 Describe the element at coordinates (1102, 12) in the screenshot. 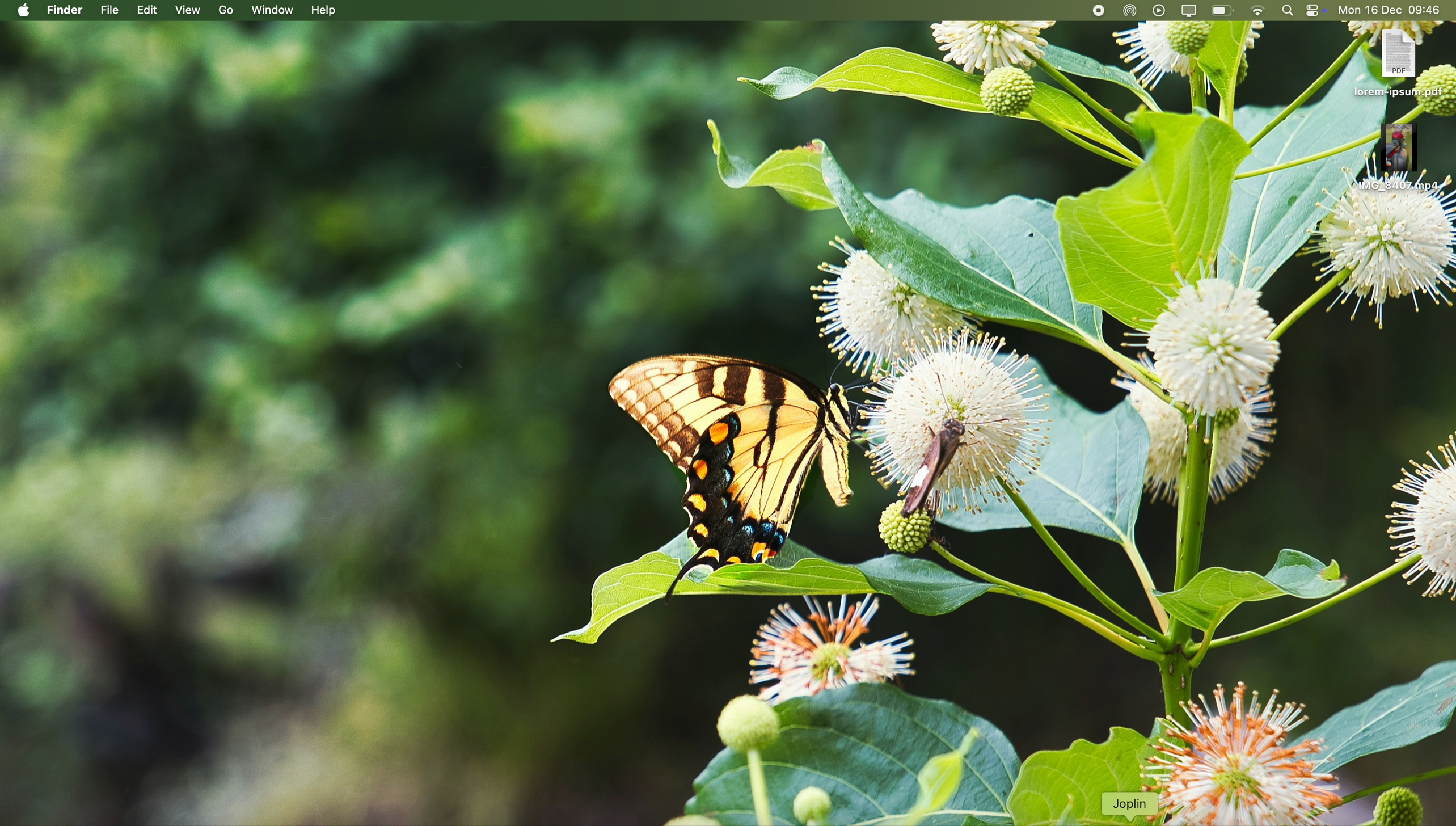

I see `Joplin app` at that location.